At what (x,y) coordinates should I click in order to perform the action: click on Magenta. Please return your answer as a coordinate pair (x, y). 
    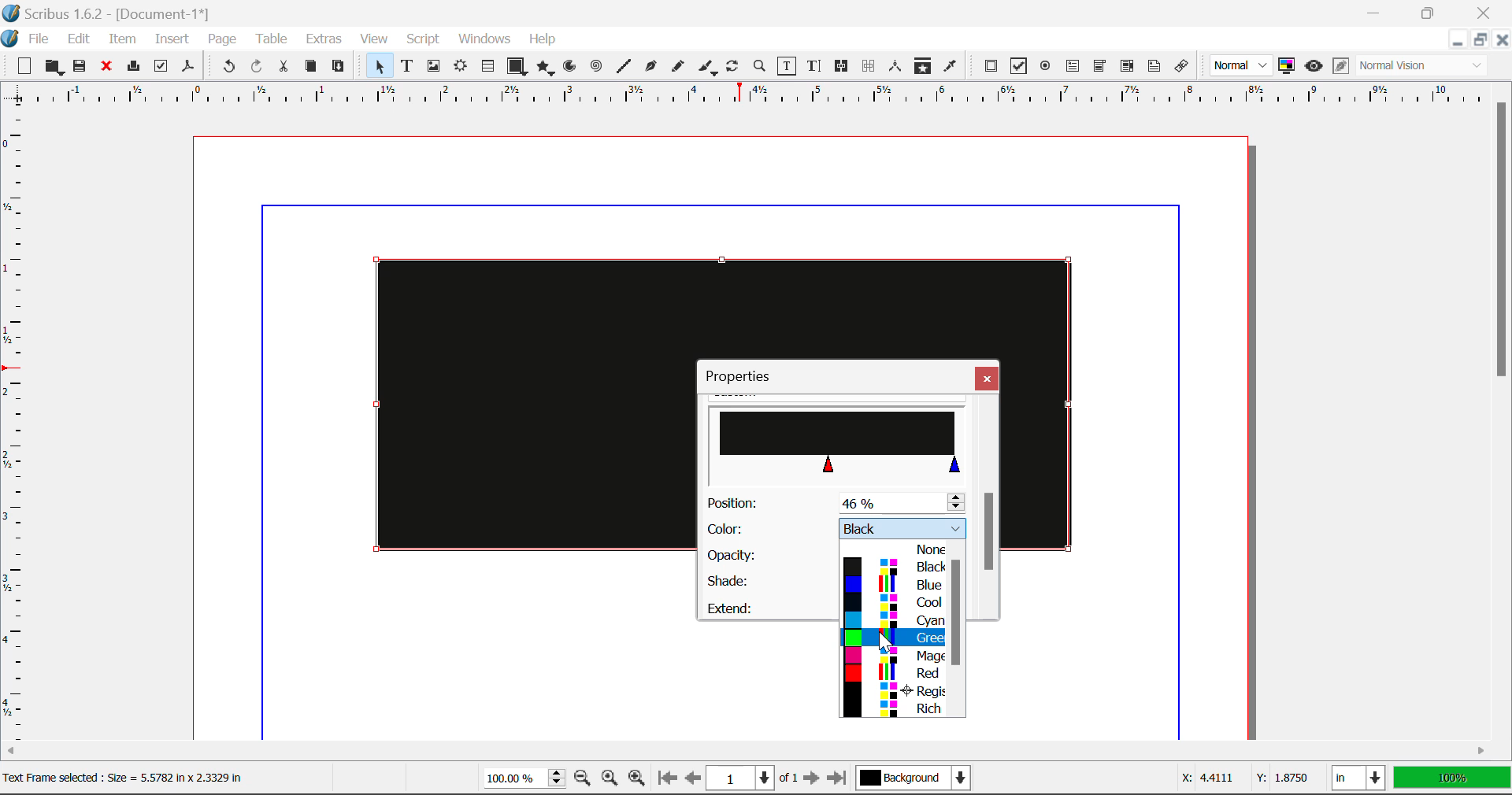
    Looking at the image, I should click on (898, 657).